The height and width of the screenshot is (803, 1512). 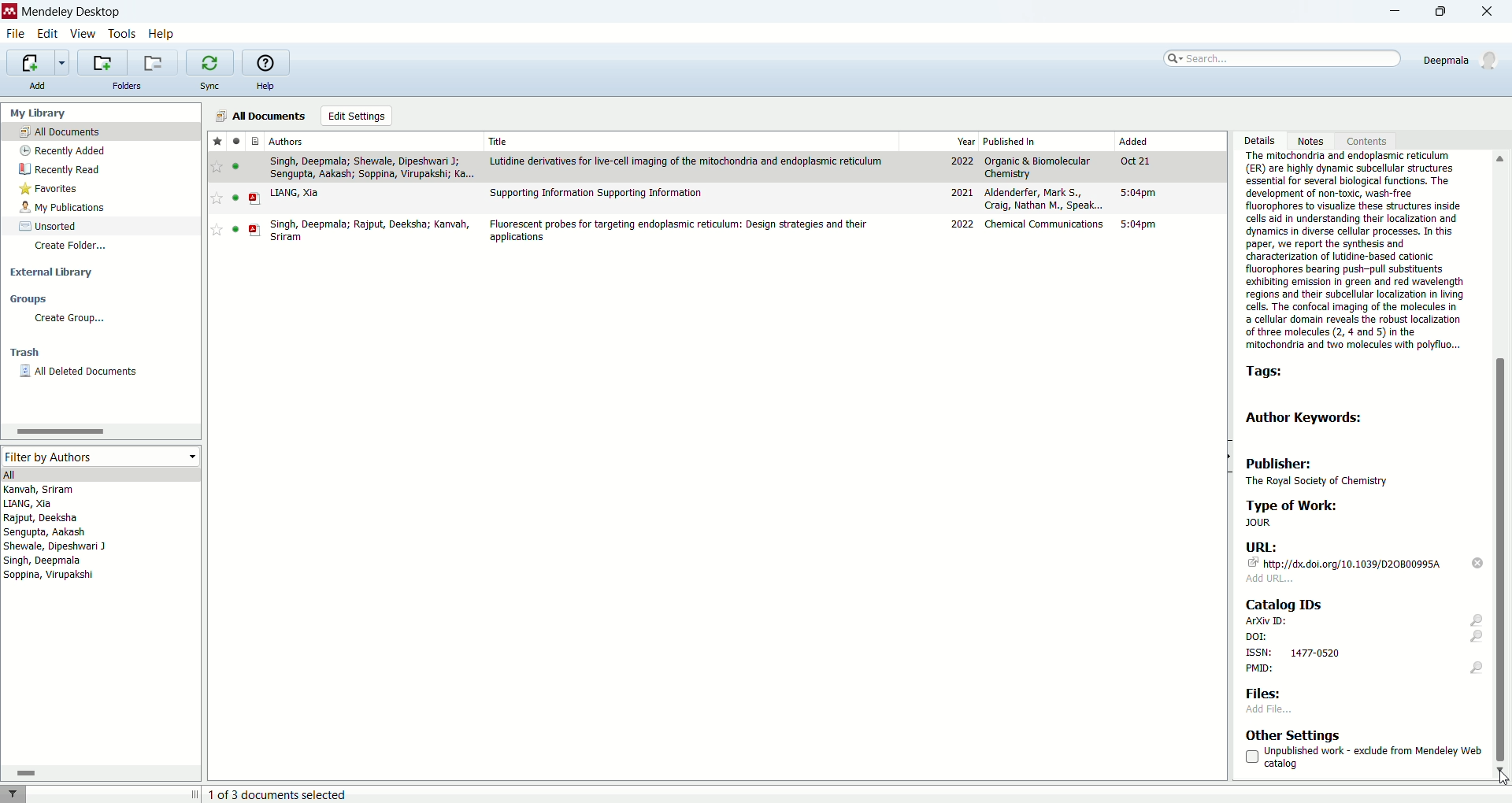 I want to click on details, so click(x=1258, y=141).